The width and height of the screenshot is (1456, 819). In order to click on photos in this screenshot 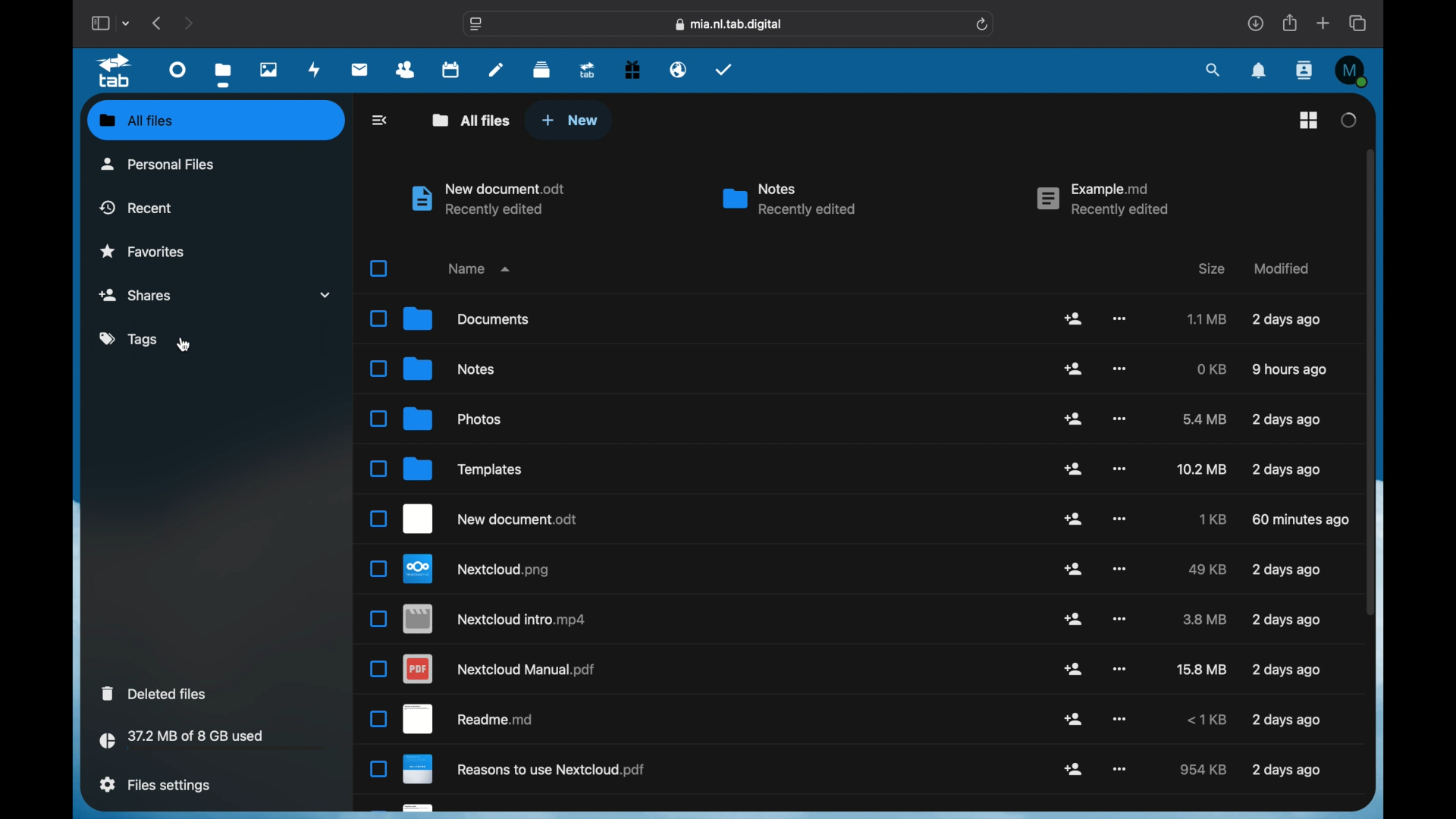, I will do `click(269, 69)`.